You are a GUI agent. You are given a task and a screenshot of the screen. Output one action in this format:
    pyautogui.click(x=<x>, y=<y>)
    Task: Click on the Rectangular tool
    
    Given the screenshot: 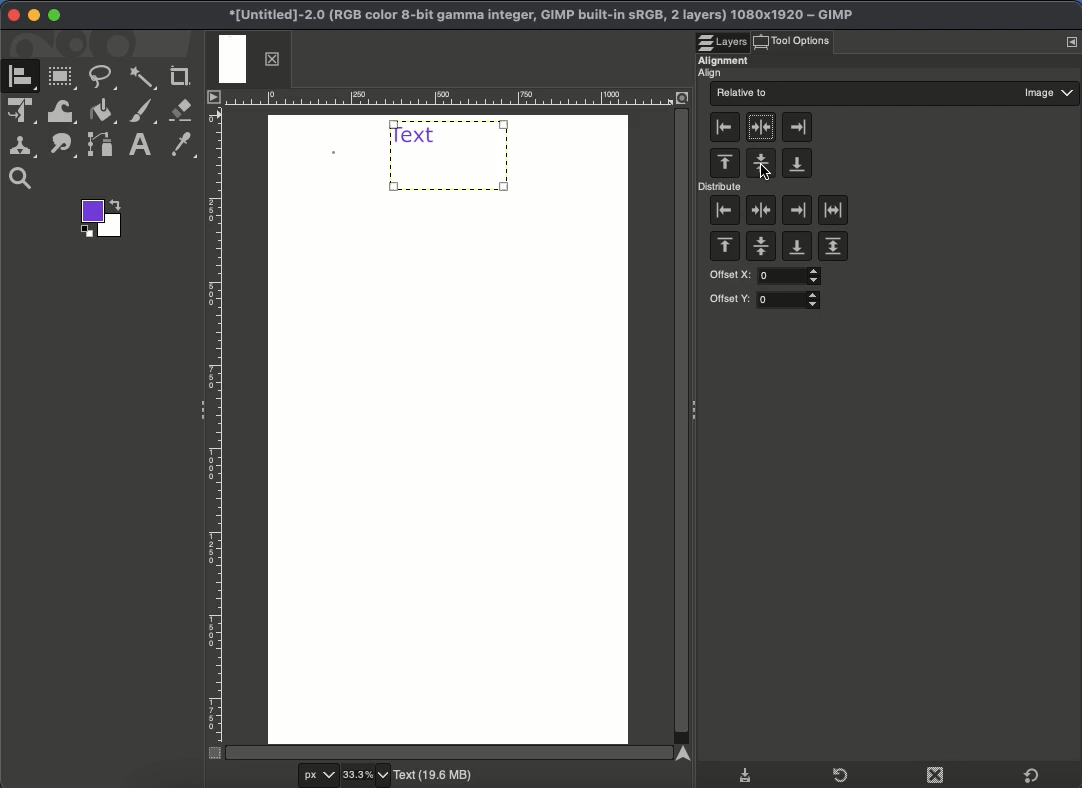 What is the action you would take?
    pyautogui.click(x=63, y=77)
    